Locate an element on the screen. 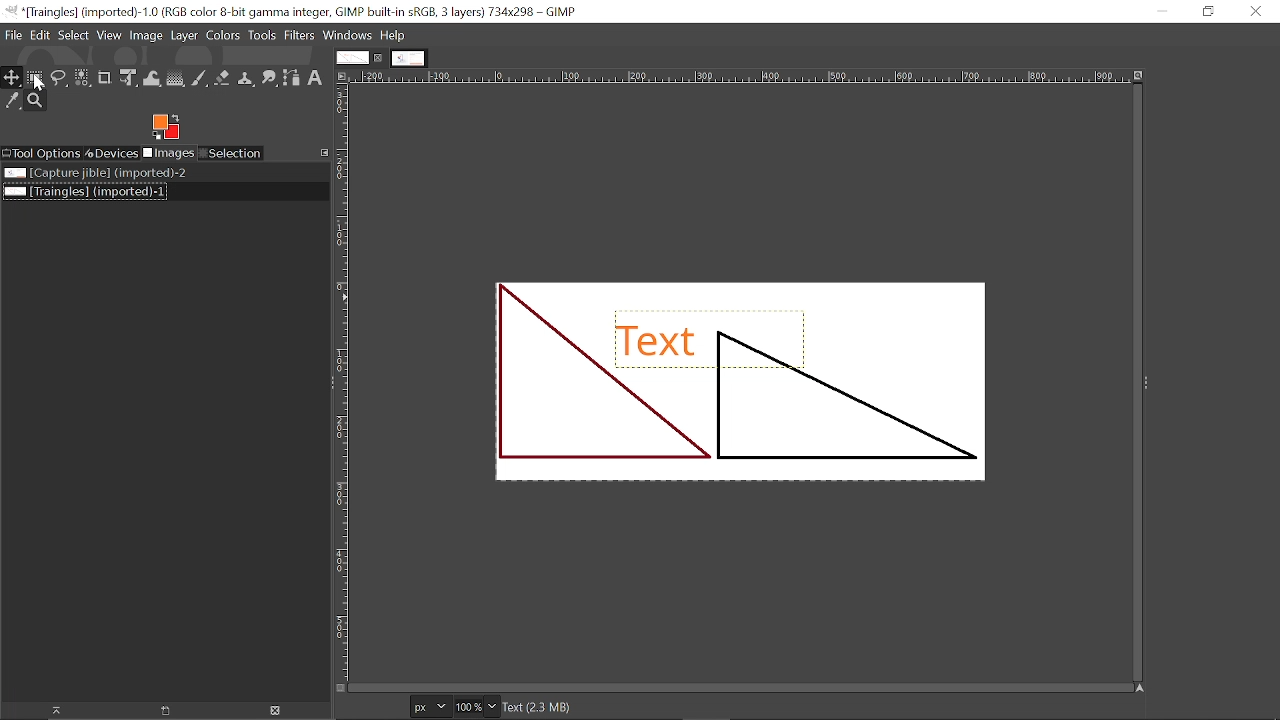 Image resolution: width=1280 pixels, height=720 pixels. File is located at coordinates (13, 35).